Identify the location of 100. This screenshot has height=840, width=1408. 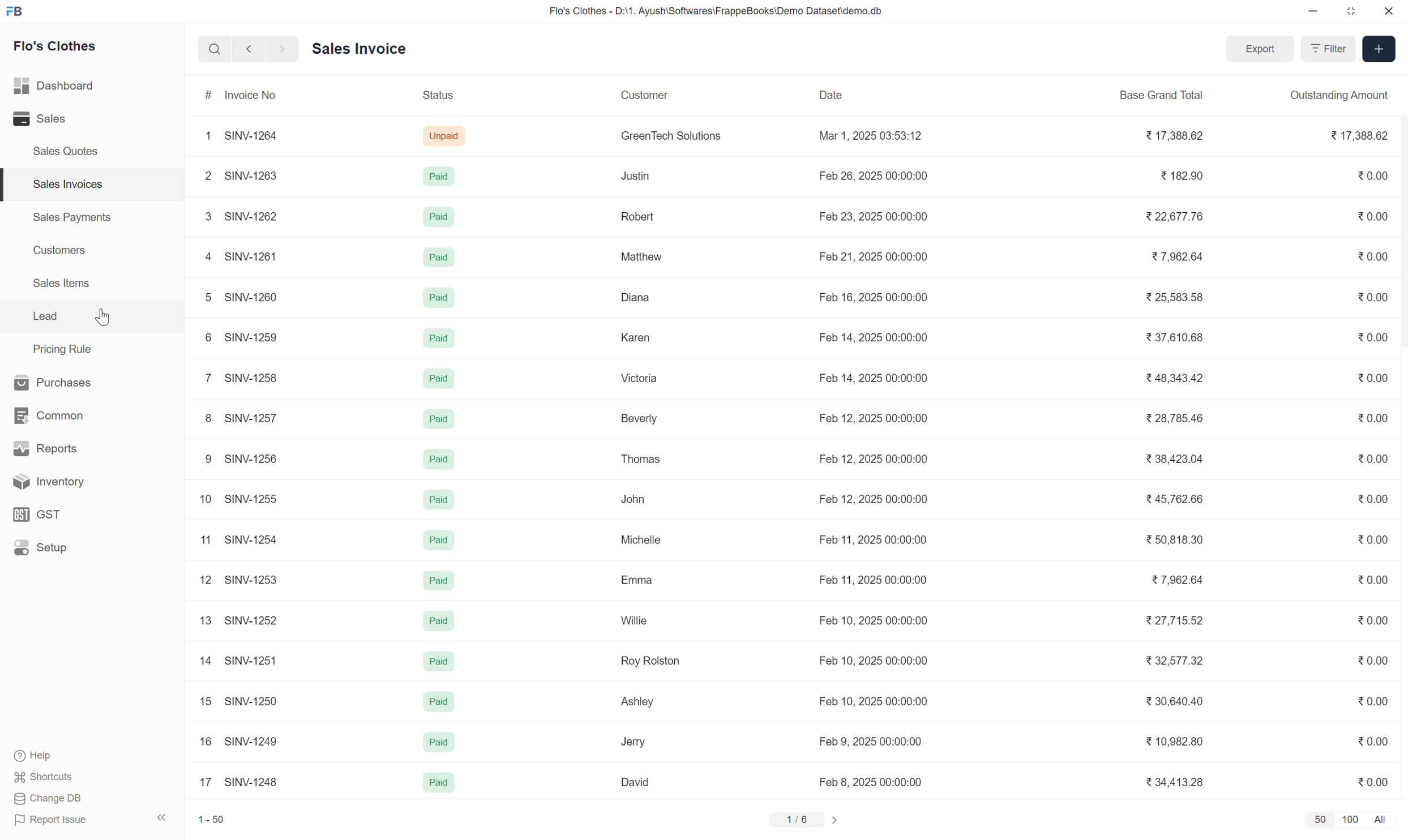
(1352, 818).